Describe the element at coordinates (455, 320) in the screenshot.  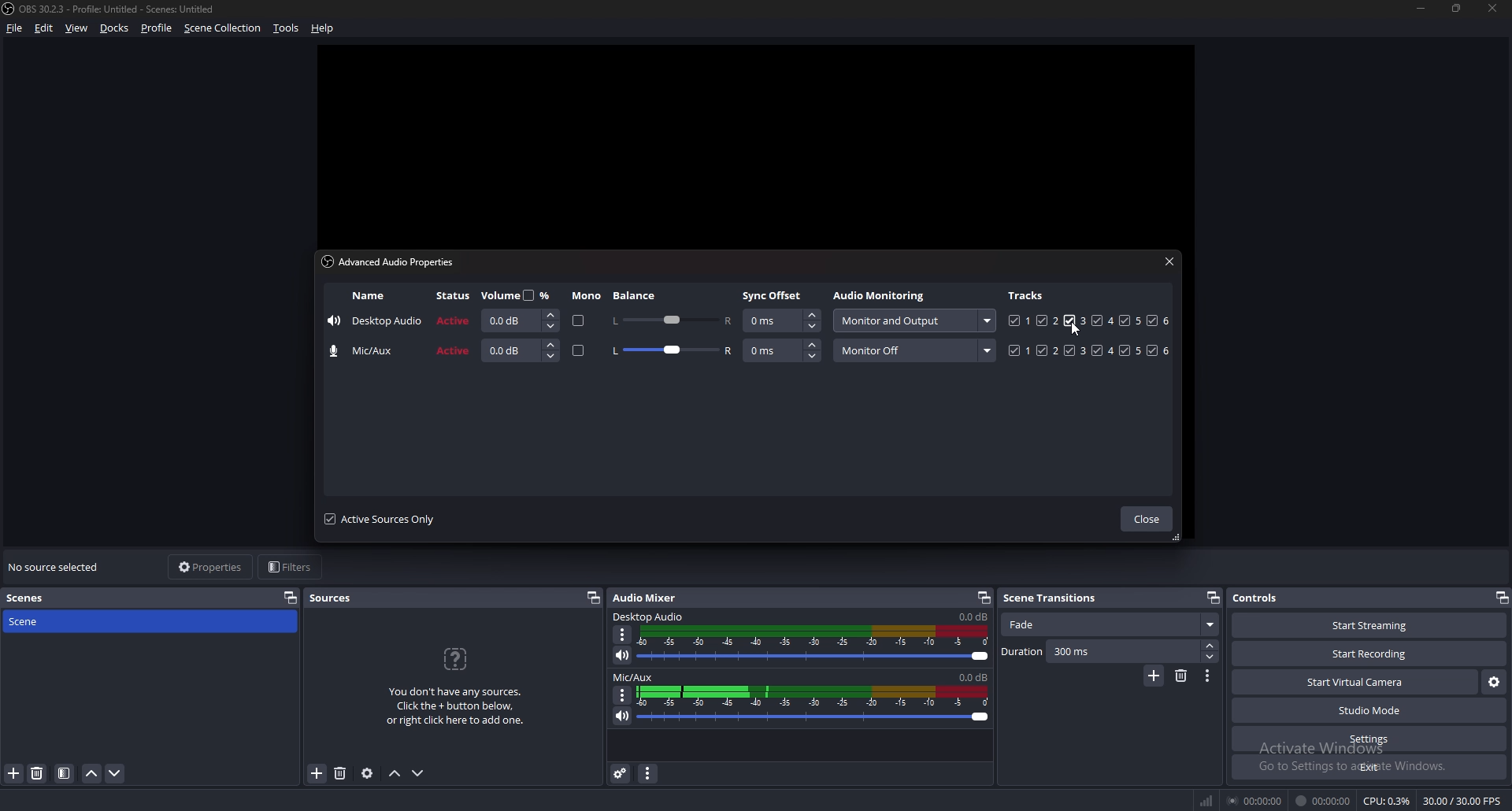
I see `active` at that location.